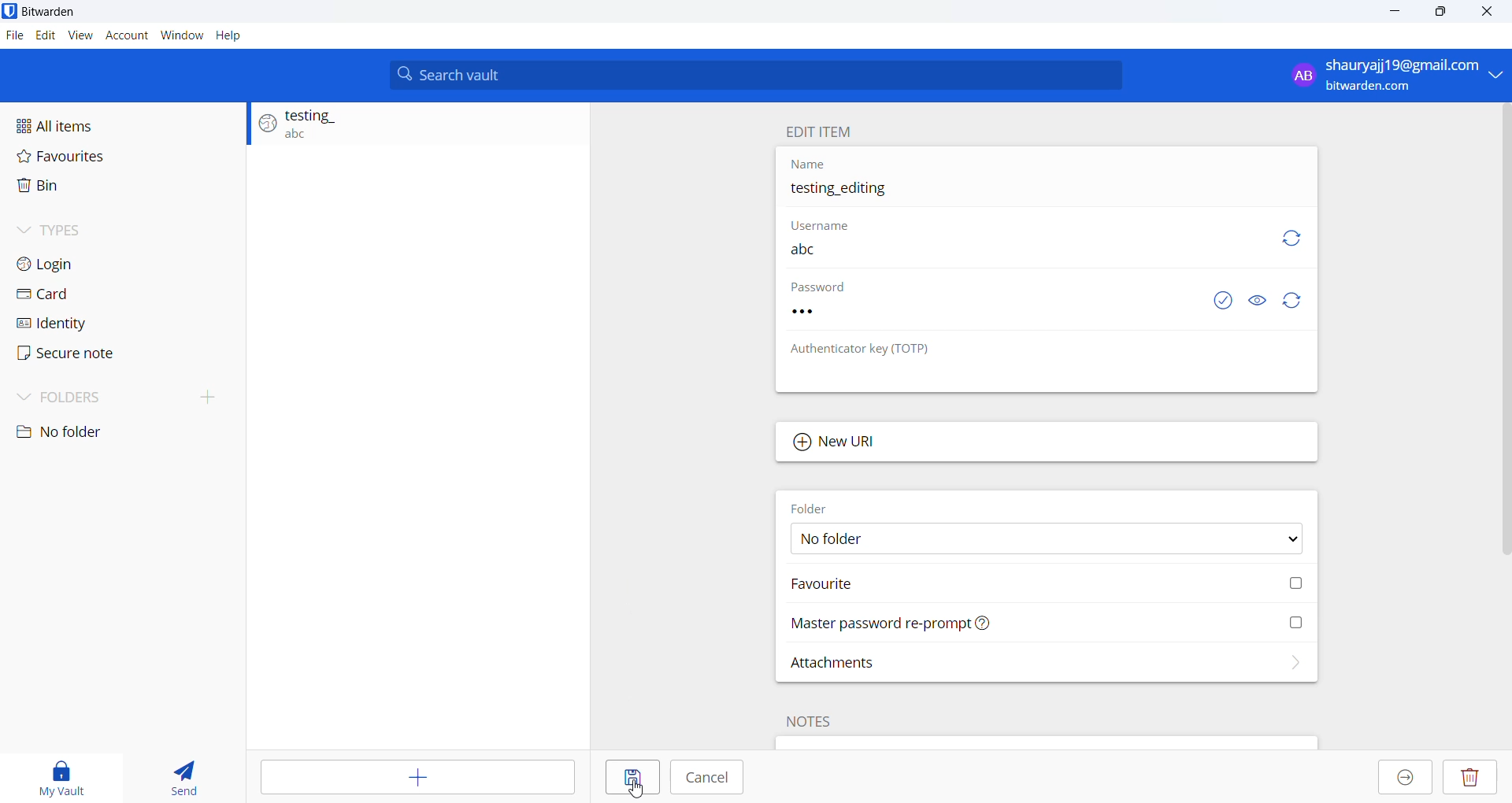 The height and width of the screenshot is (803, 1512). What do you see at coordinates (828, 508) in the screenshot?
I see `Folder heading` at bounding box center [828, 508].